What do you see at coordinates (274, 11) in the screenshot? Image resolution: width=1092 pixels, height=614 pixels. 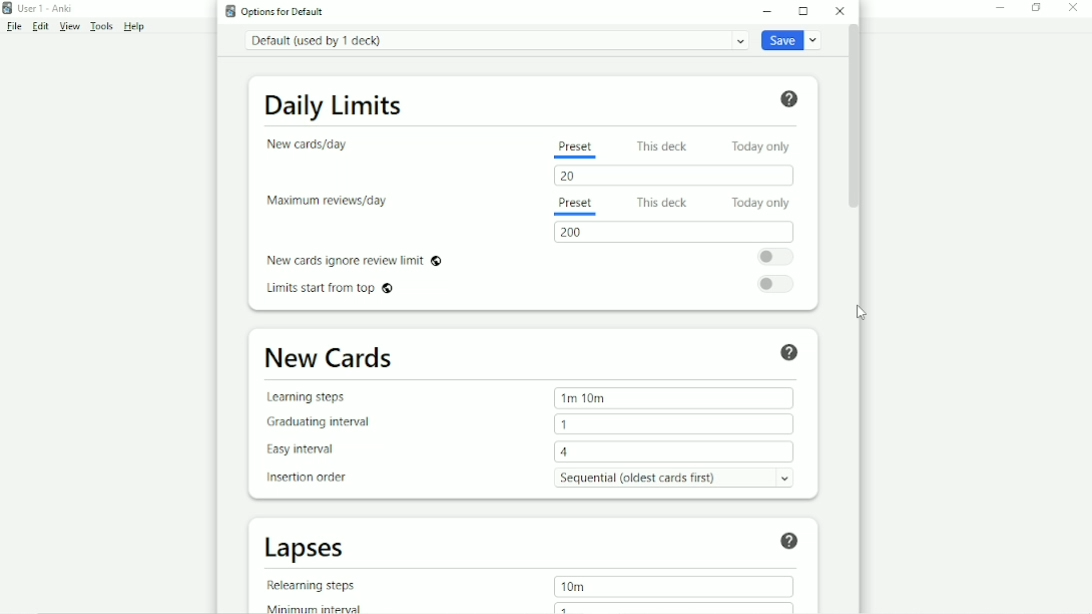 I see `Options for default` at bounding box center [274, 11].